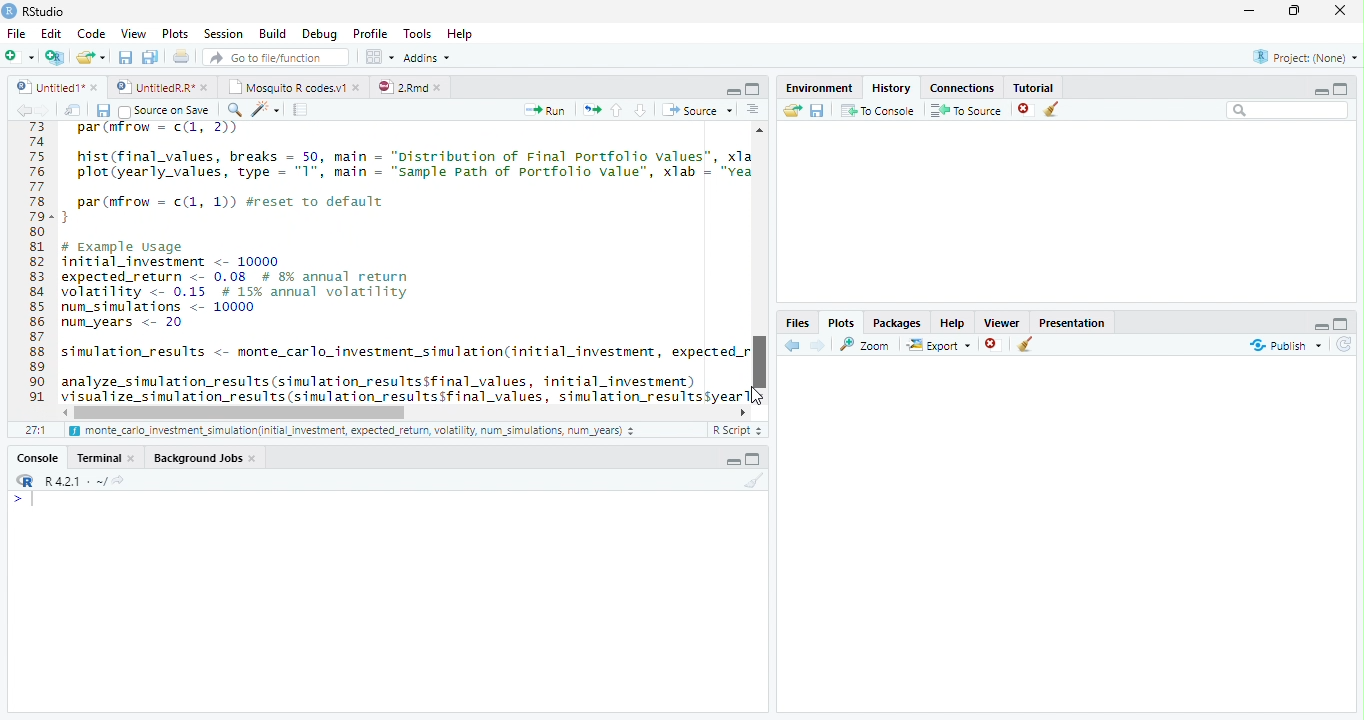 Image resolution: width=1364 pixels, height=720 pixels. What do you see at coordinates (274, 57) in the screenshot?
I see `Go to file/function` at bounding box center [274, 57].